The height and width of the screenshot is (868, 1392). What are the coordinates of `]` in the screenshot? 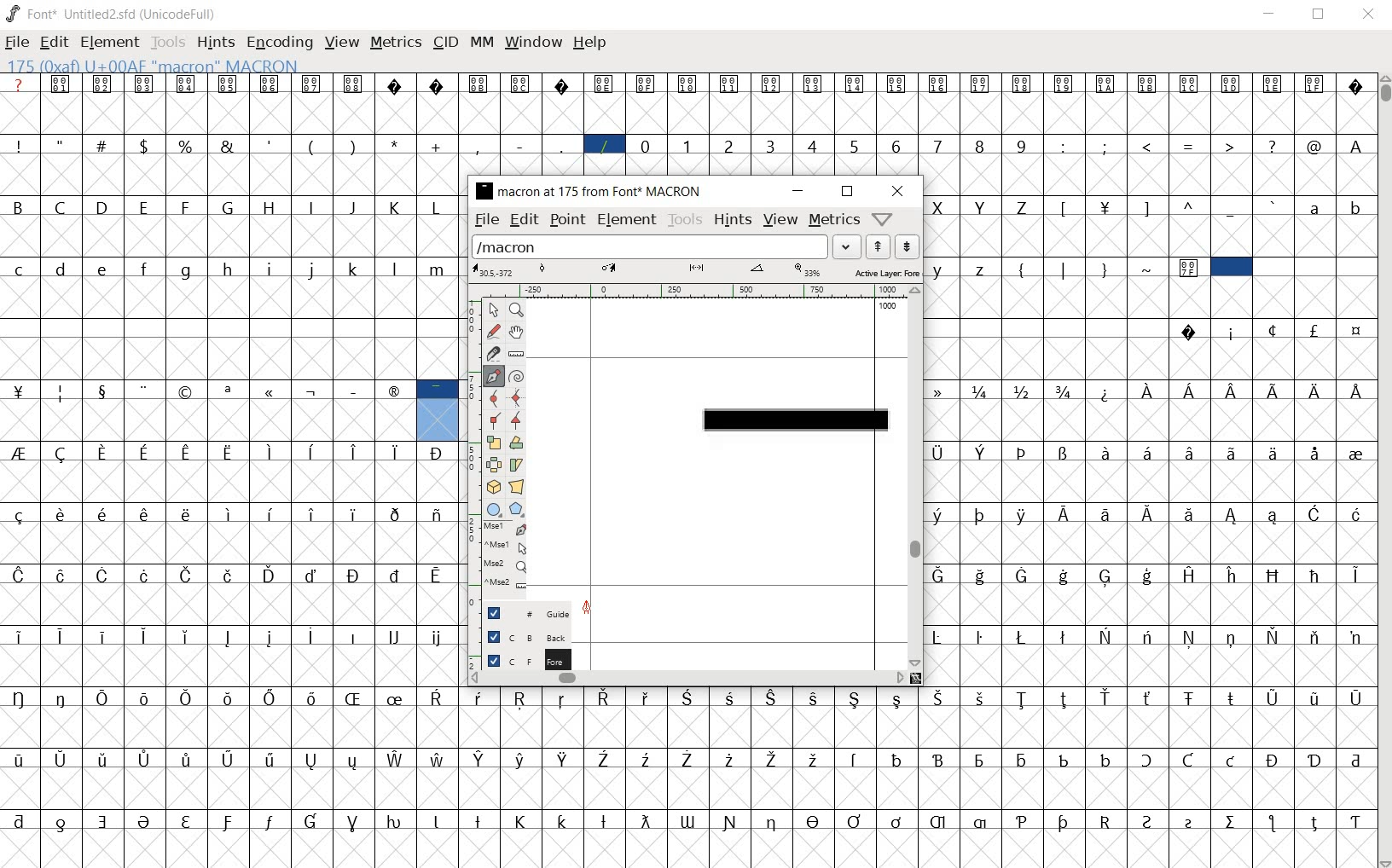 It's located at (1147, 206).